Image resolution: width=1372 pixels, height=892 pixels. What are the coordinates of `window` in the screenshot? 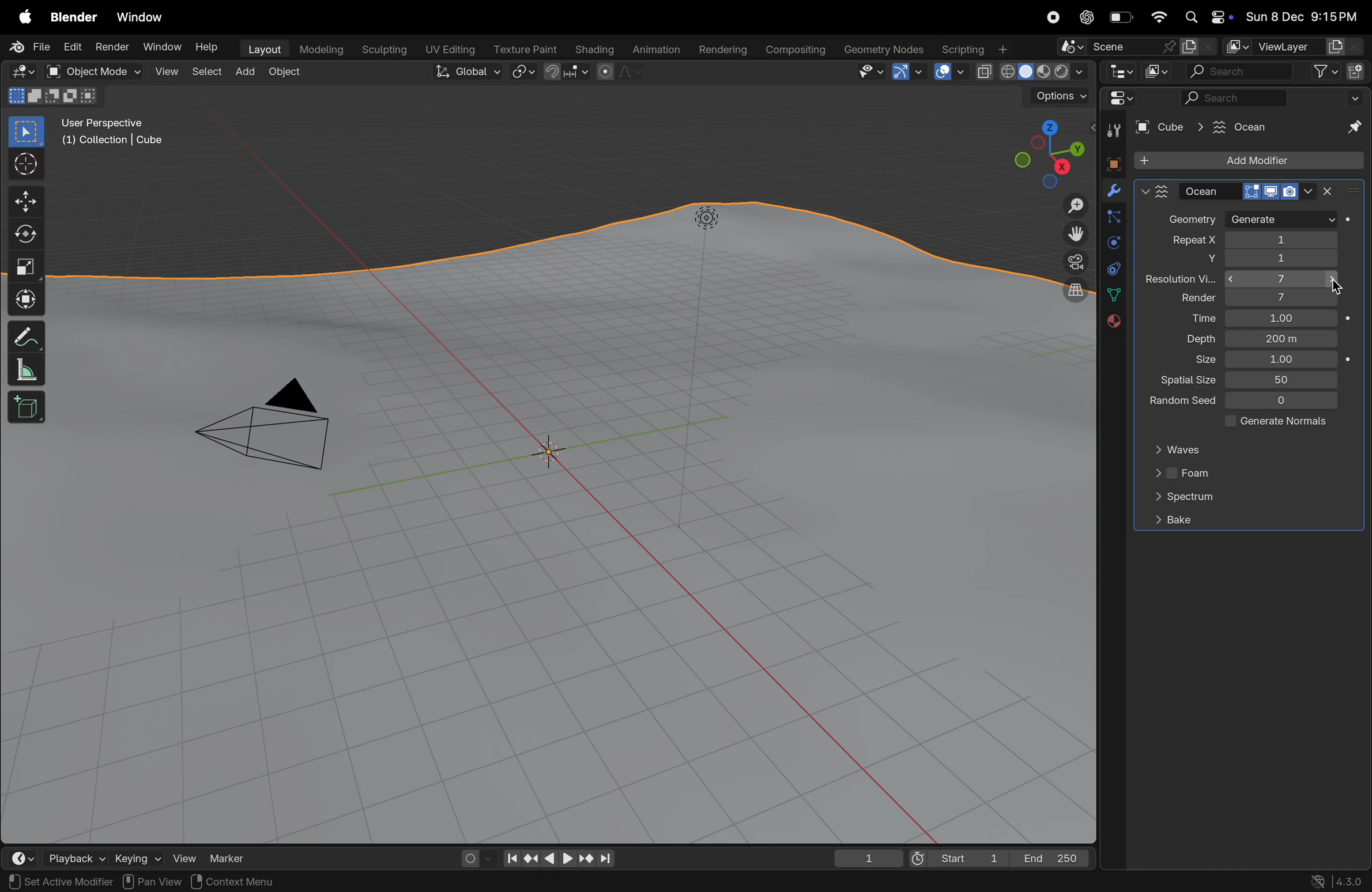 It's located at (160, 47).